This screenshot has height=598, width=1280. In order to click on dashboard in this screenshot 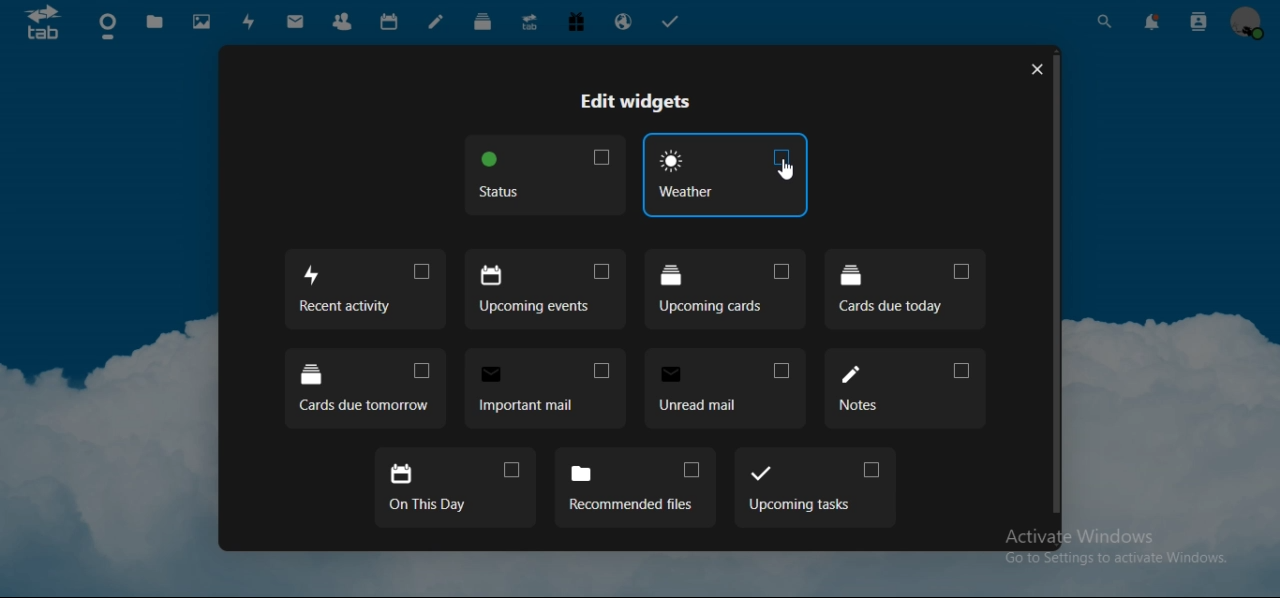, I will do `click(110, 27)`.